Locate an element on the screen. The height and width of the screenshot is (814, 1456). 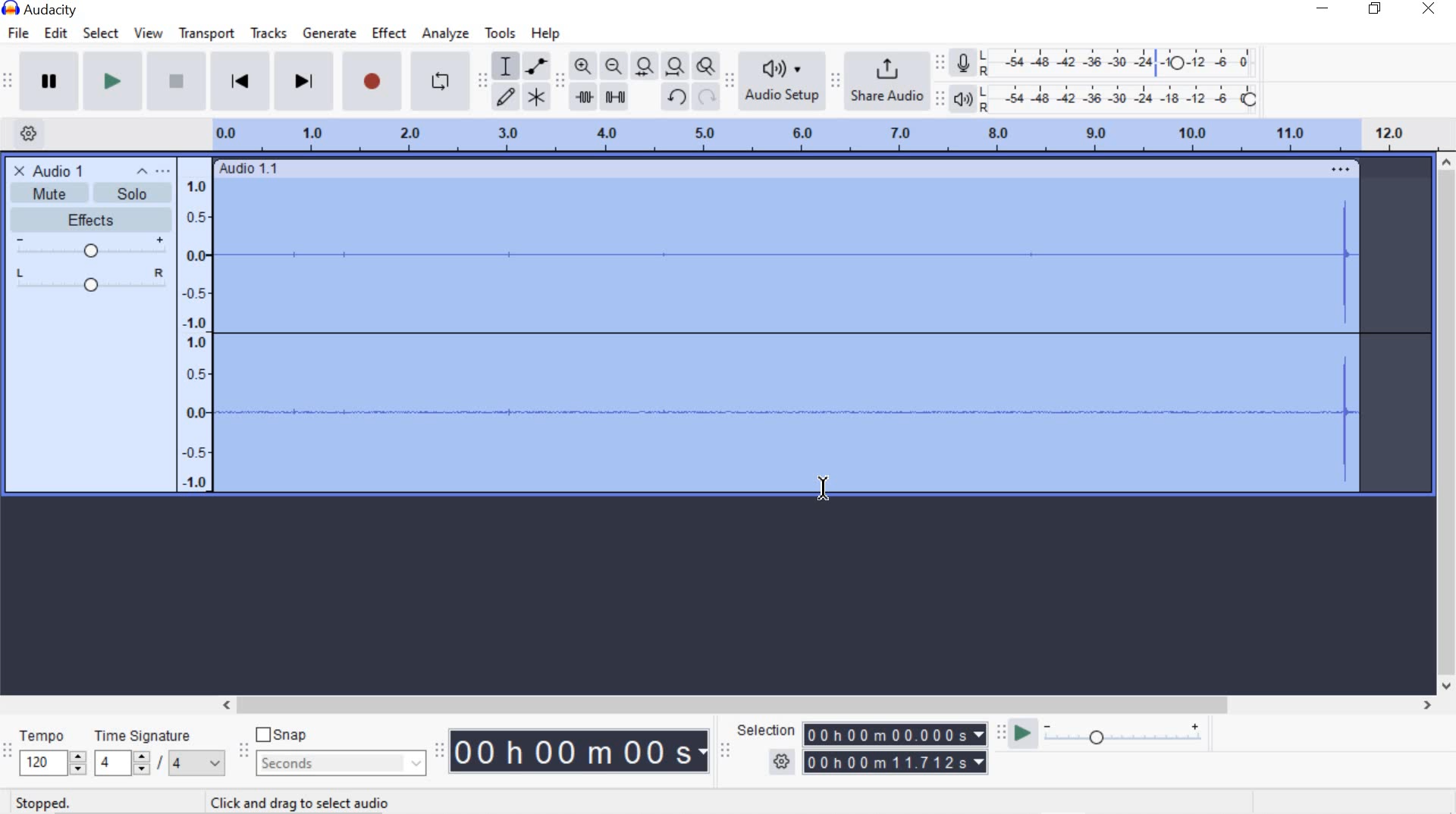
scrollbar is located at coordinates (824, 703).